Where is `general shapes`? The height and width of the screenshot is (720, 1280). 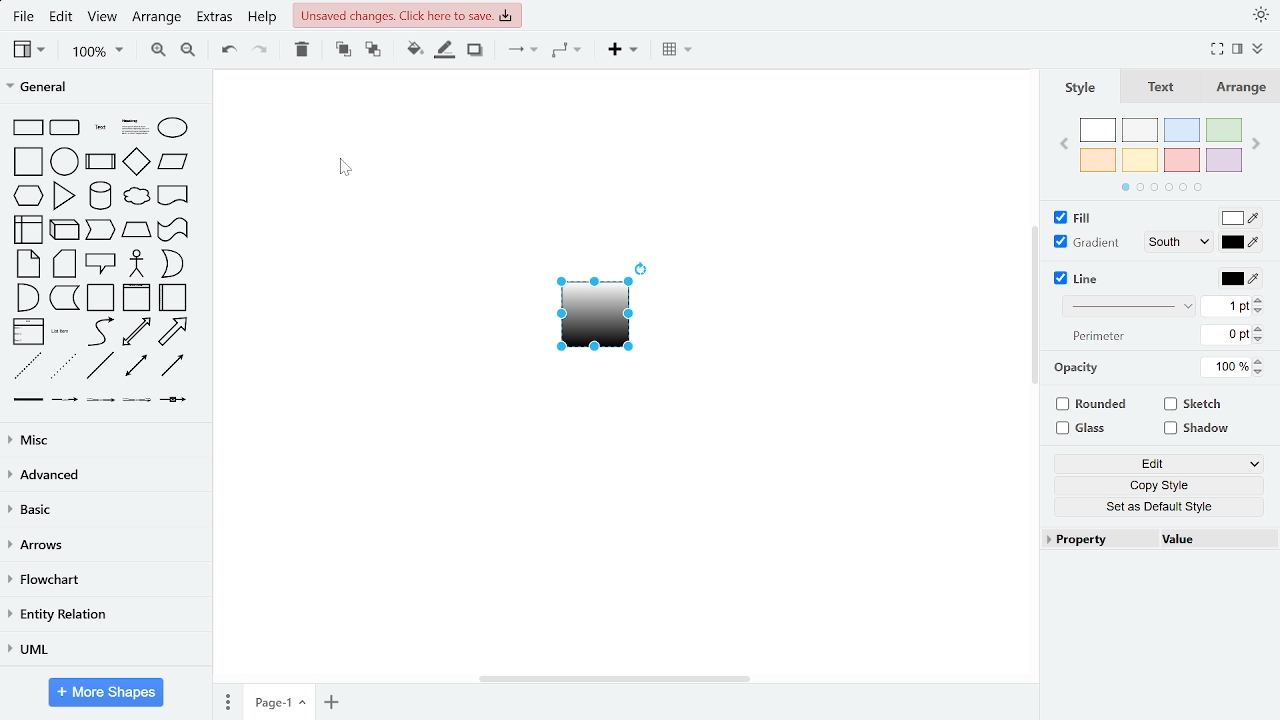 general shapes is located at coordinates (100, 264).